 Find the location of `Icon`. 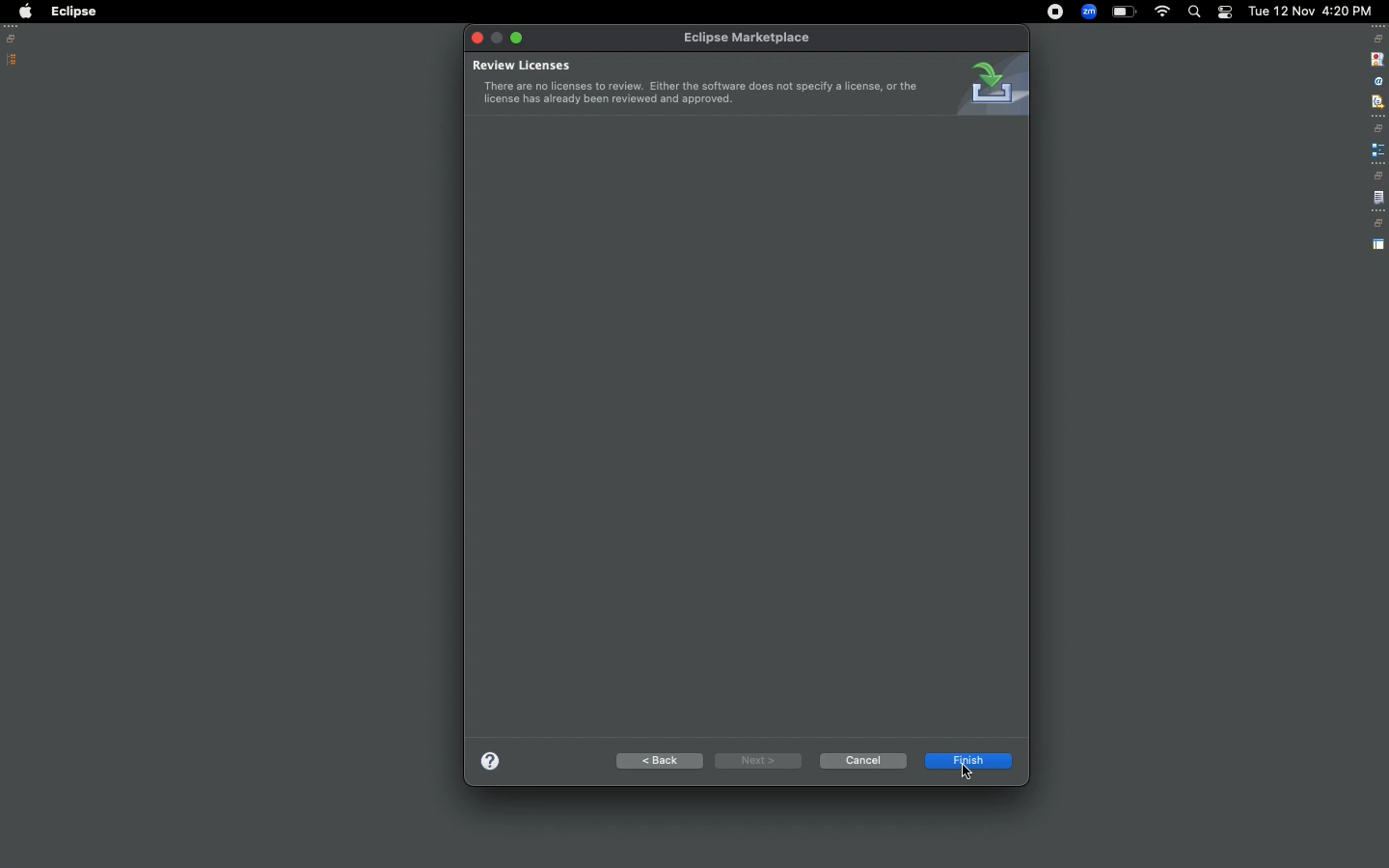

Icon is located at coordinates (991, 84).